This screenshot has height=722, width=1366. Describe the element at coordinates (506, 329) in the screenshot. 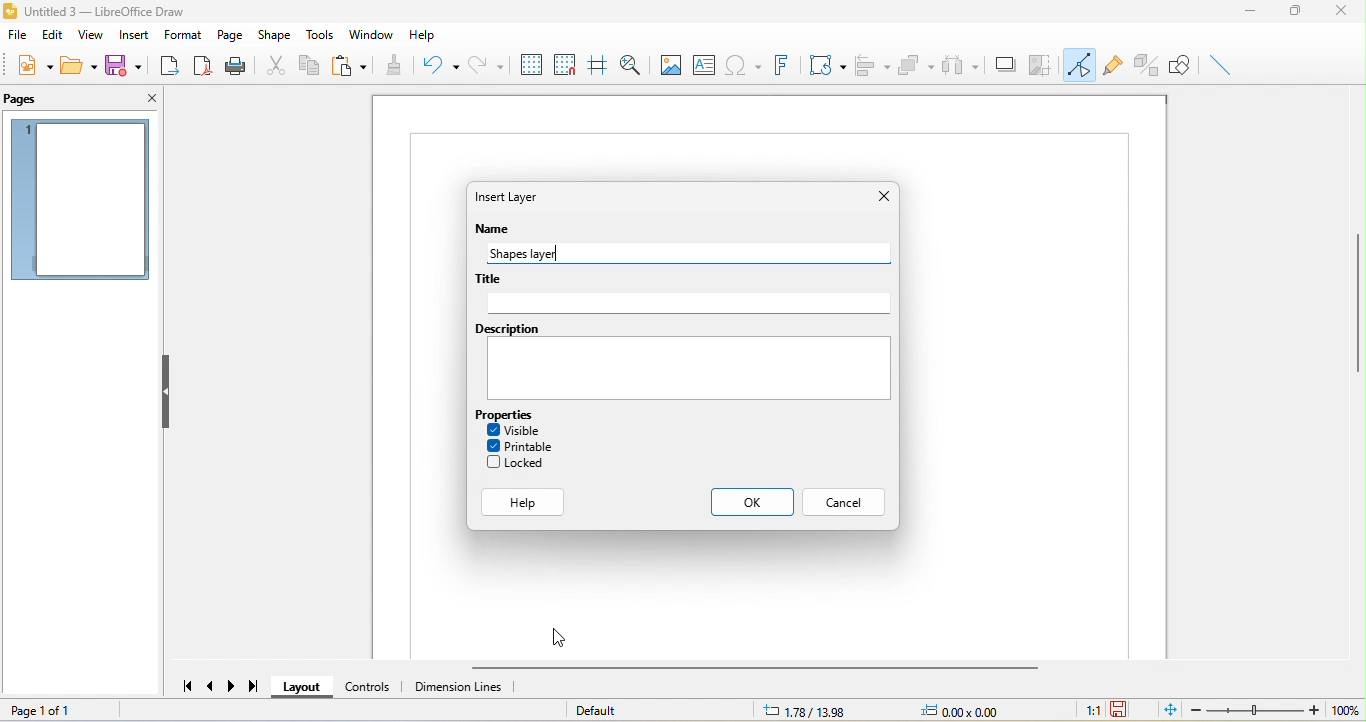

I see `Description` at that location.